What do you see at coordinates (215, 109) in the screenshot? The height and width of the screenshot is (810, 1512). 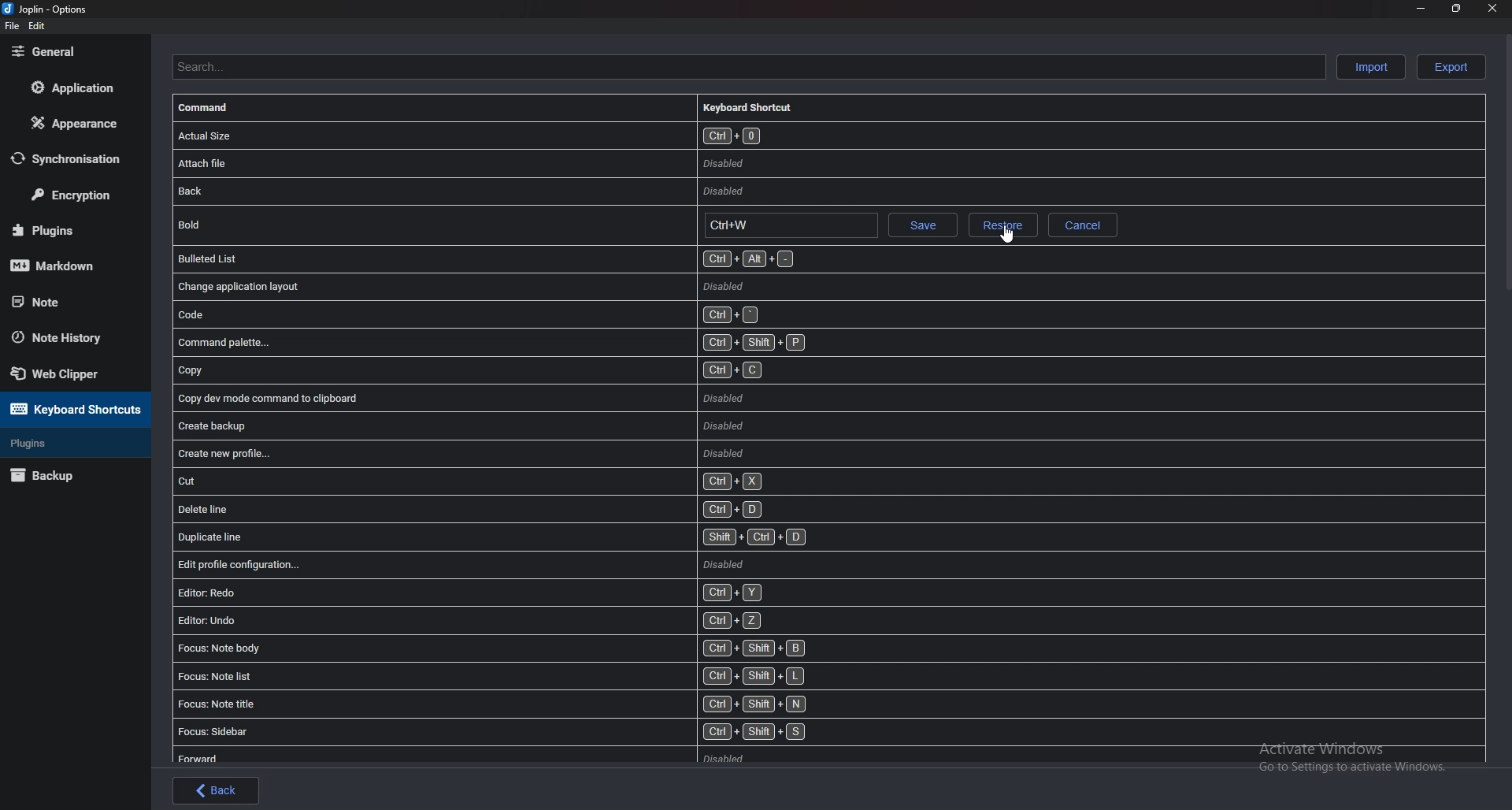 I see `Command` at bounding box center [215, 109].